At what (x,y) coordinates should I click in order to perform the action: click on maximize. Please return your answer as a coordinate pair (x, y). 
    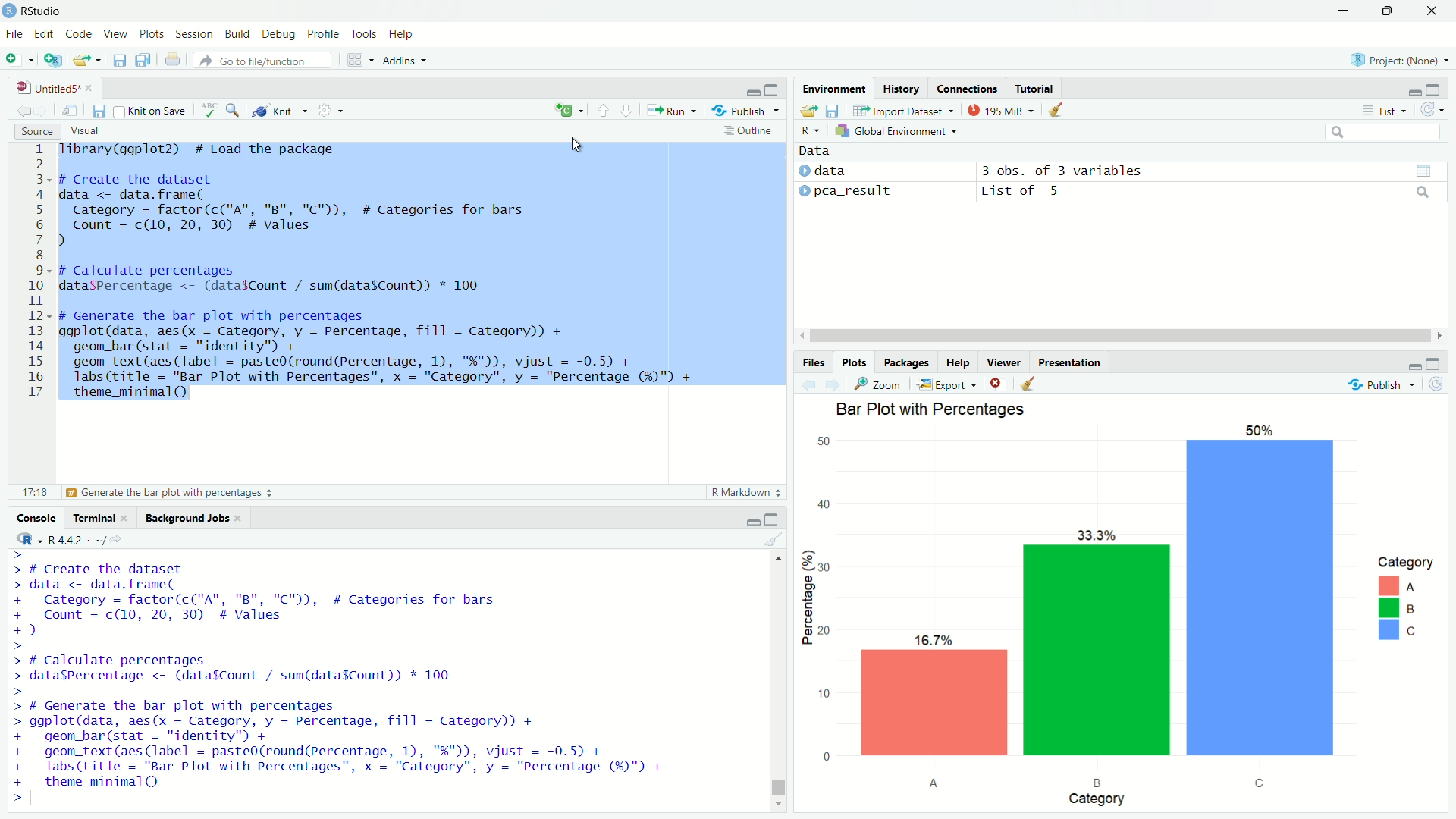
    Looking at the image, I should click on (1436, 89).